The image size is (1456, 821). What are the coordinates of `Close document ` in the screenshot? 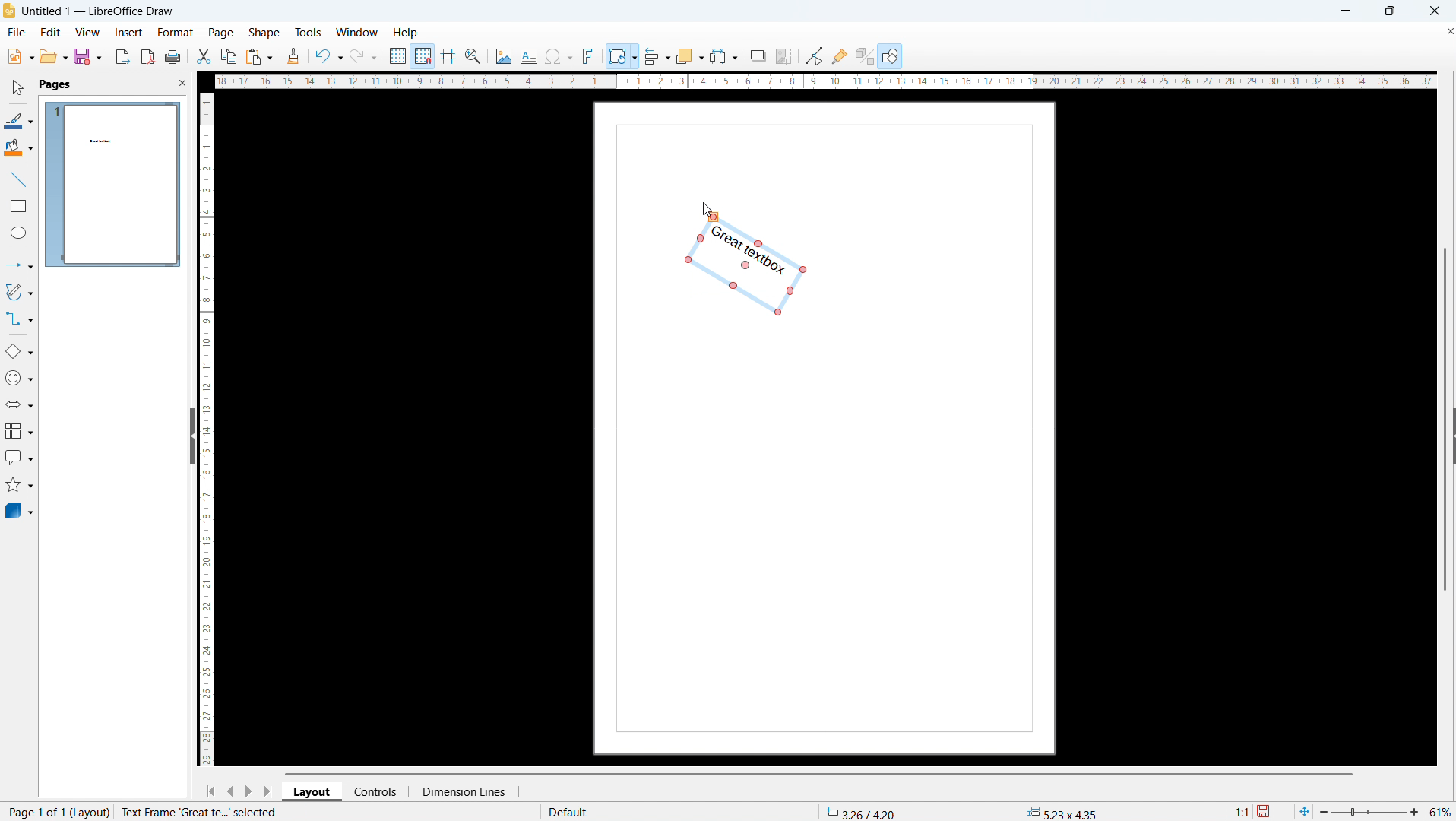 It's located at (1447, 30).